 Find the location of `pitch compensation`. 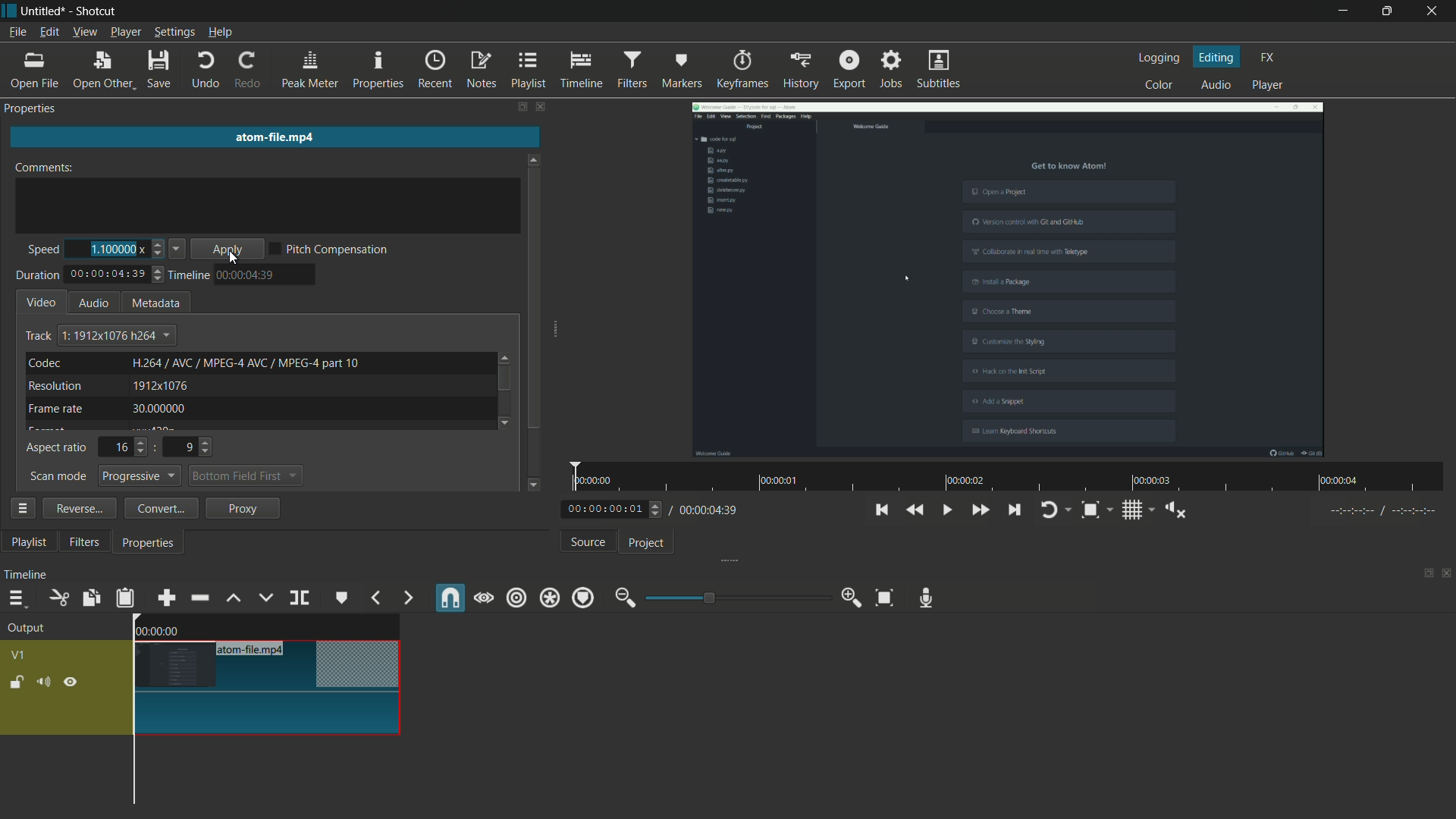

pitch compensation is located at coordinates (337, 251).